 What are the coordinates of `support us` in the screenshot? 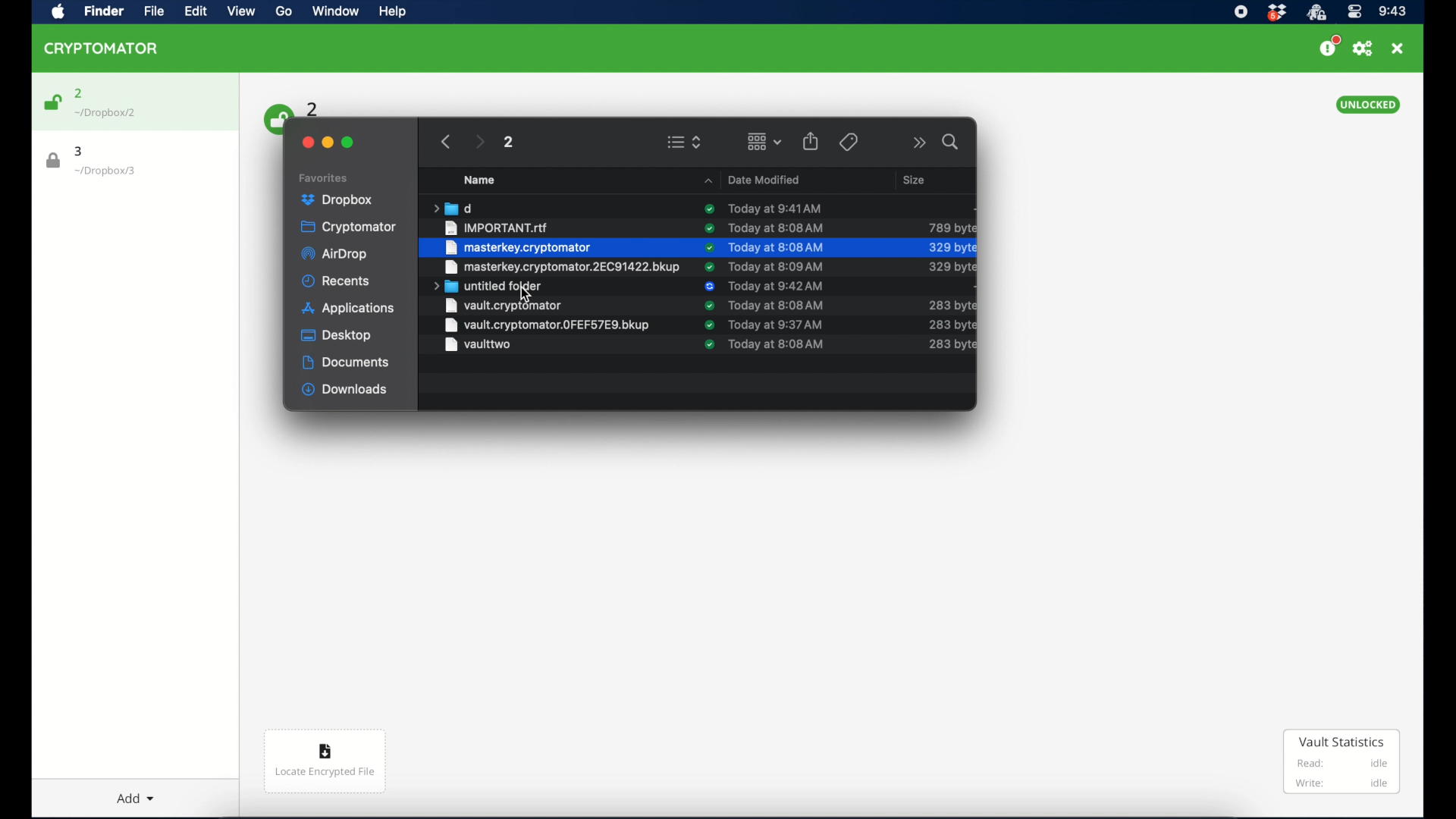 It's located at (1329, 46).